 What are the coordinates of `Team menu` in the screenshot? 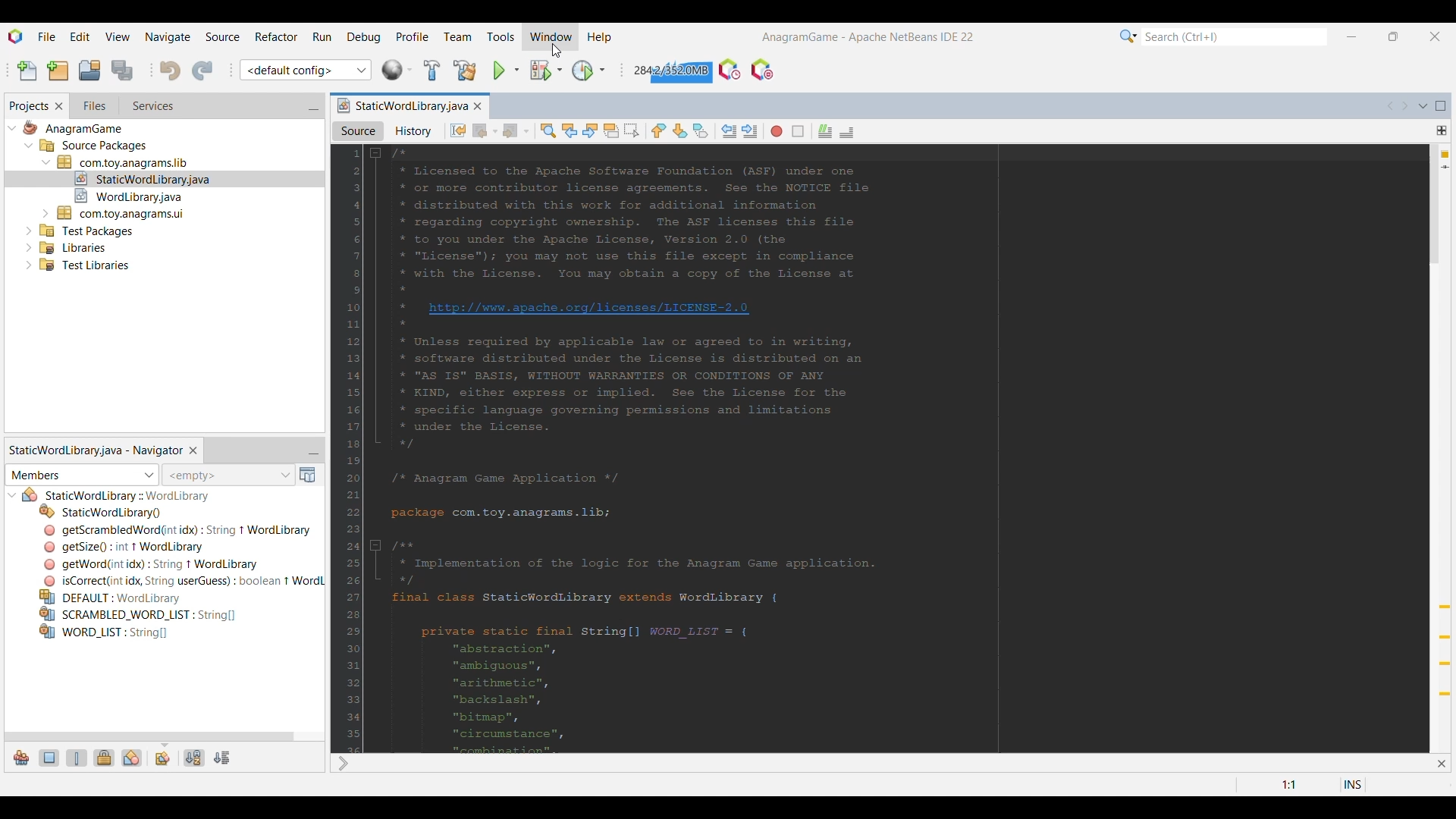 It's located at (457, 37).